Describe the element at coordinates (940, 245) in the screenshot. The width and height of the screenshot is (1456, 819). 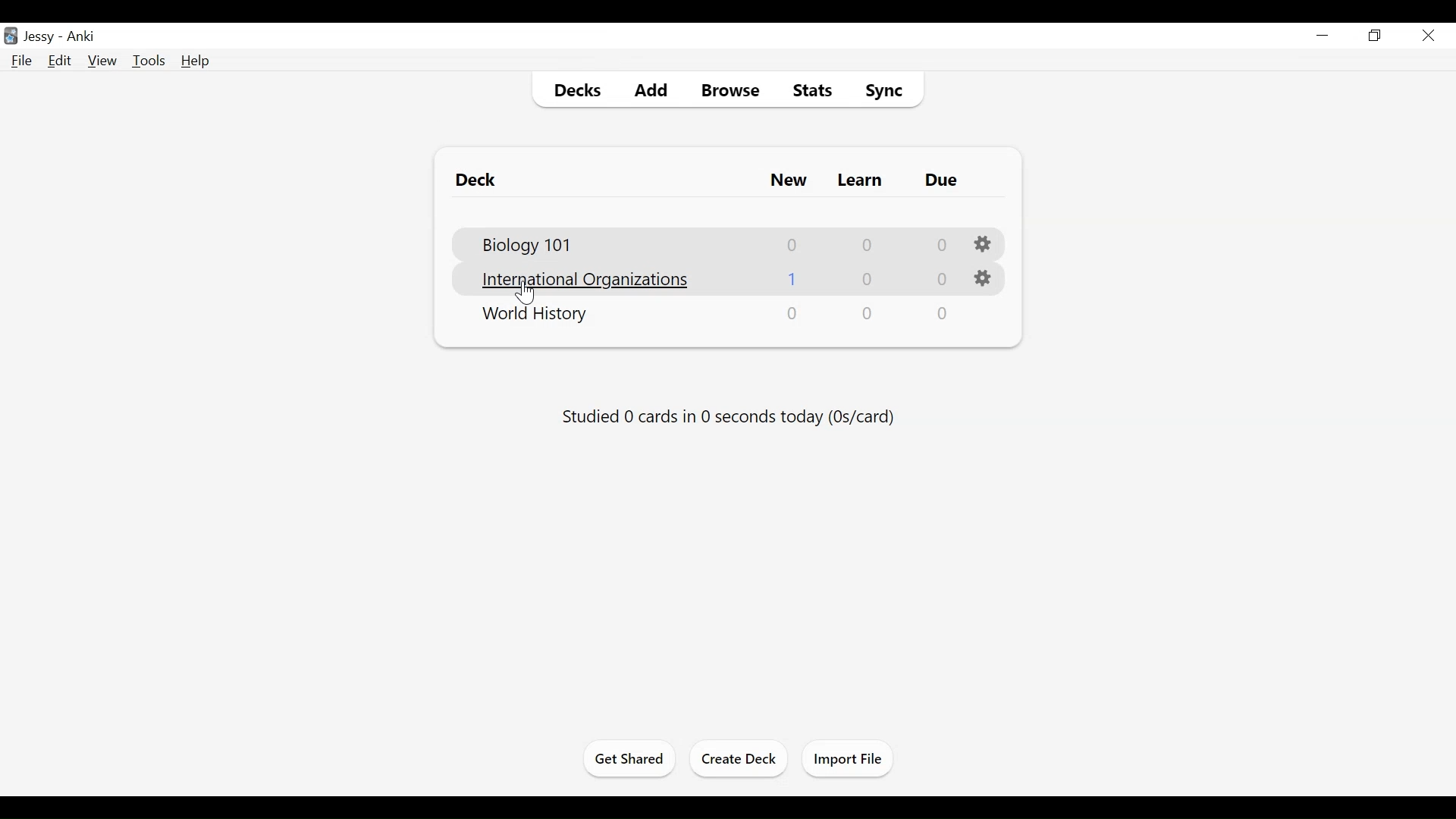
I see `0` at that location.